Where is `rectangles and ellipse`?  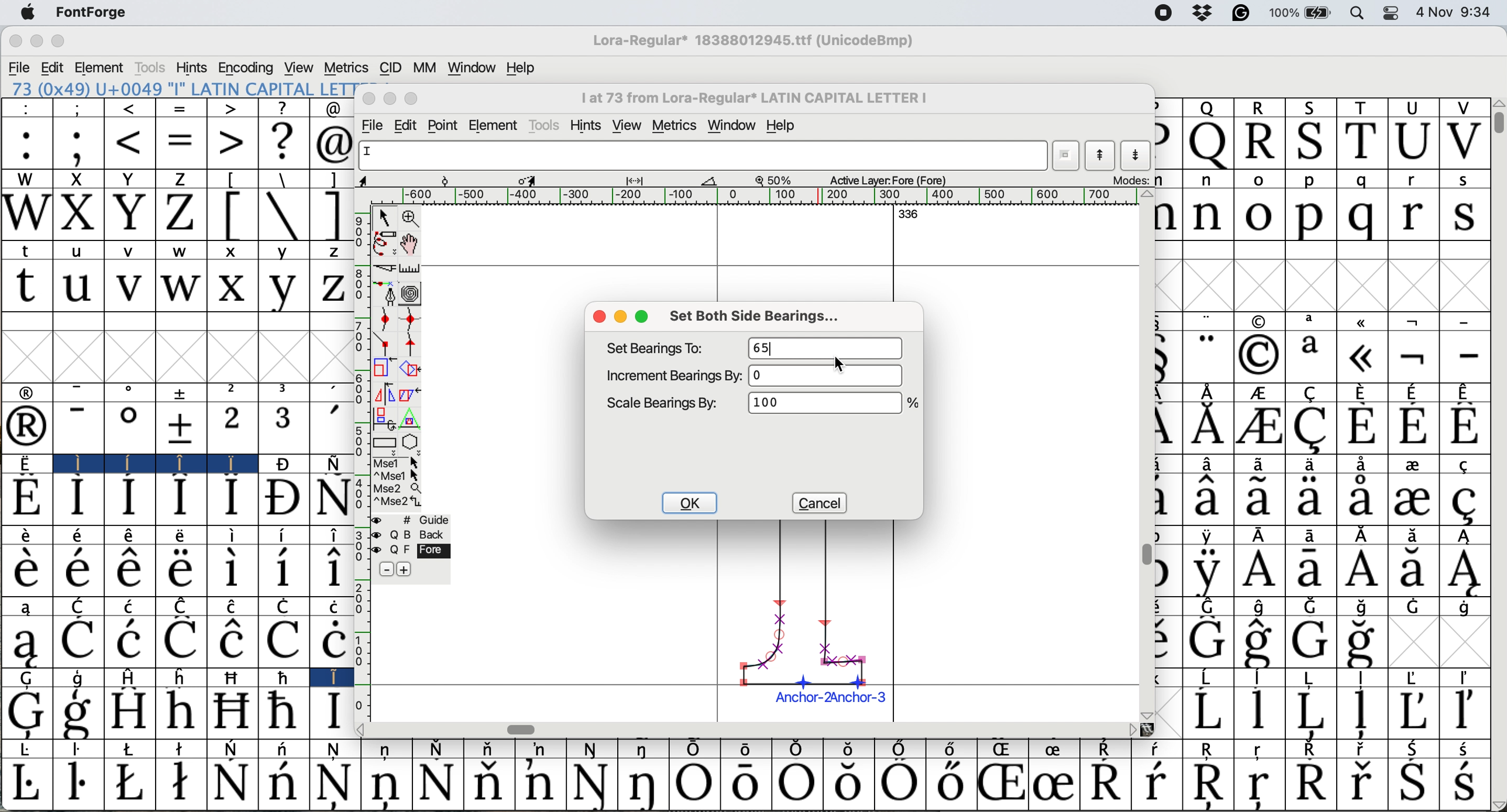 rectangles and ellipse is located at coordinates (385, 441).